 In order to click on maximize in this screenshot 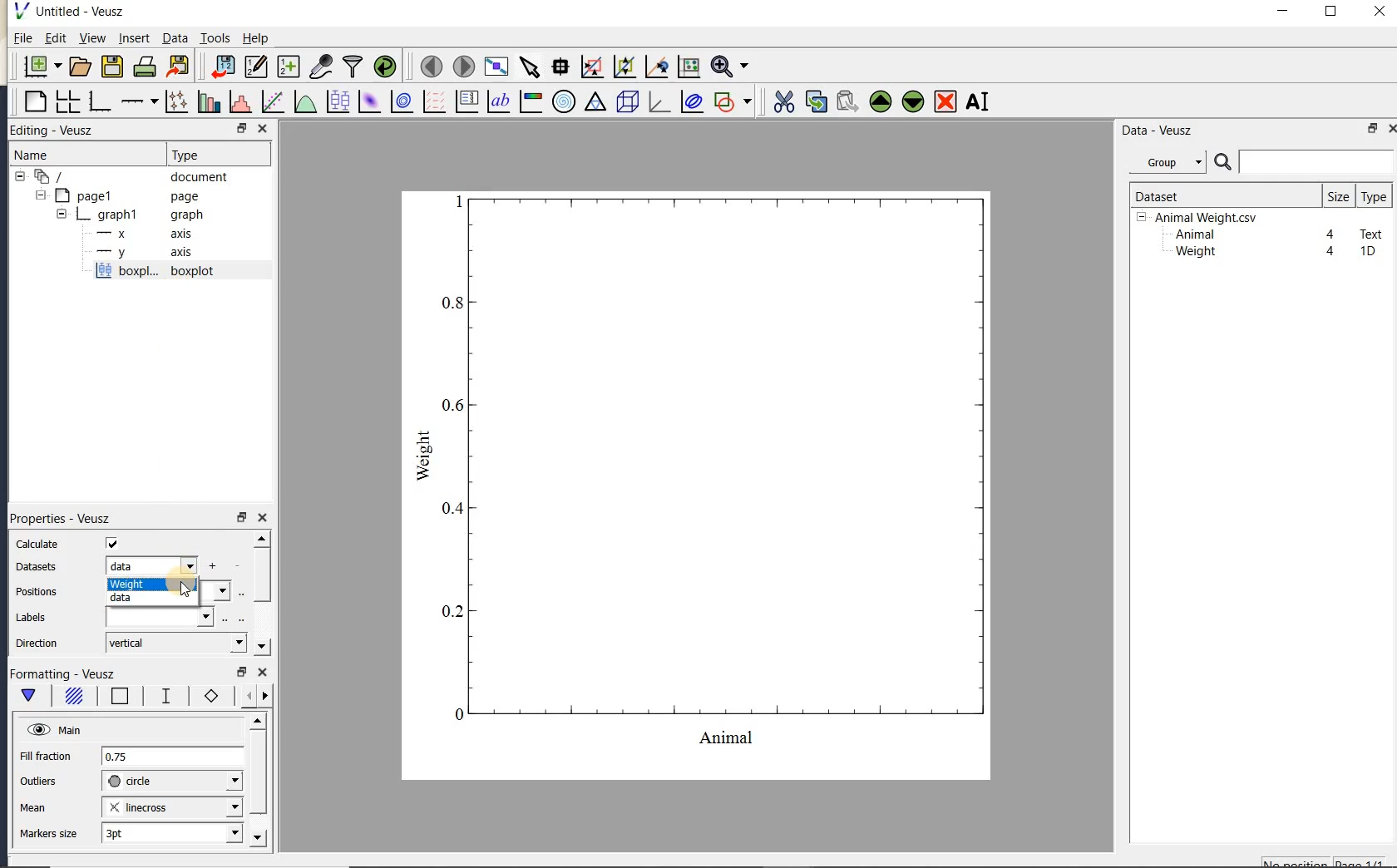, I will do `click(1331, 12)`.